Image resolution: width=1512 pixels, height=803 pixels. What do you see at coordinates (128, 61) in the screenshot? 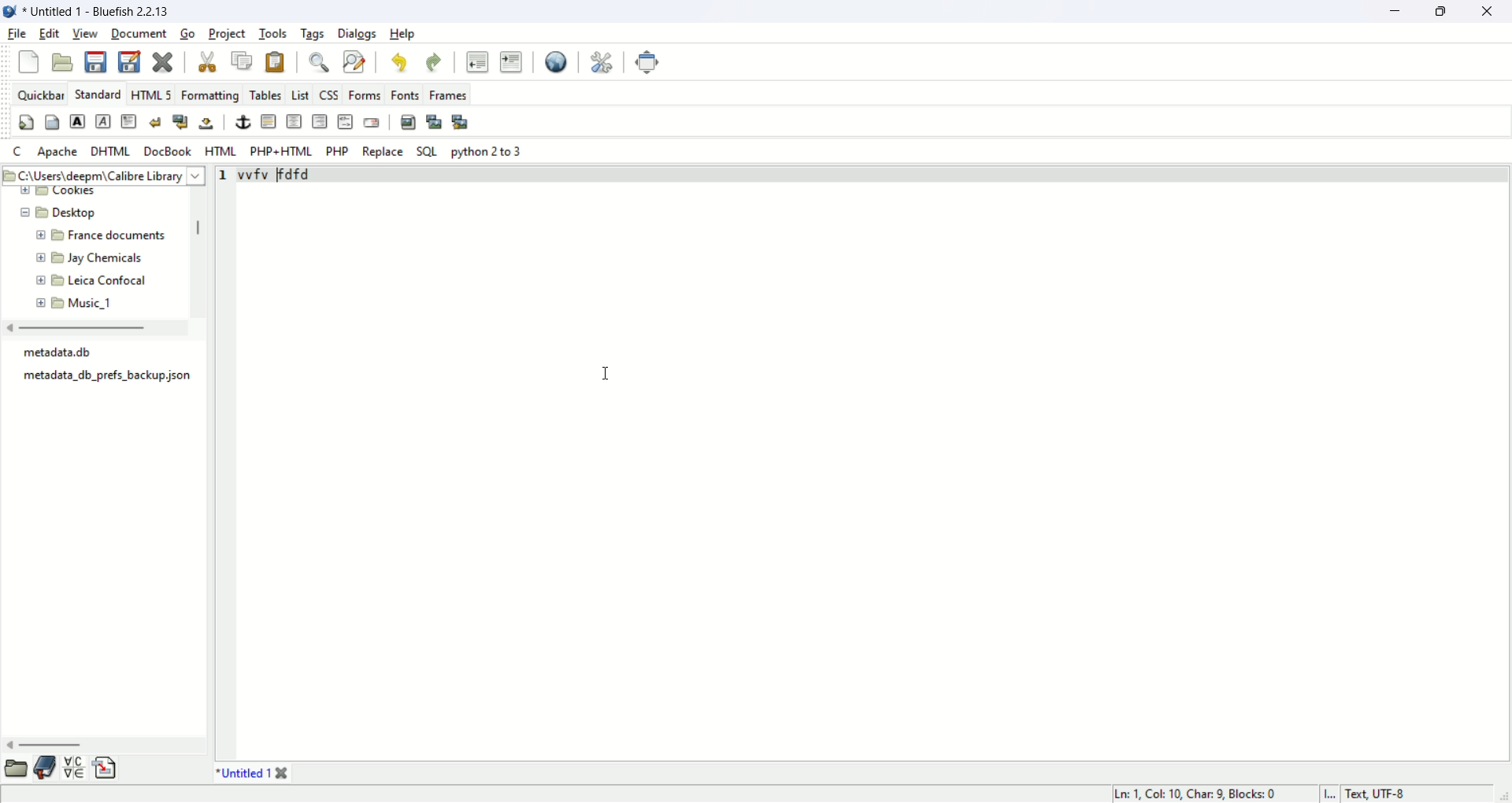
I see `save as` at bounding box center [128, 61].